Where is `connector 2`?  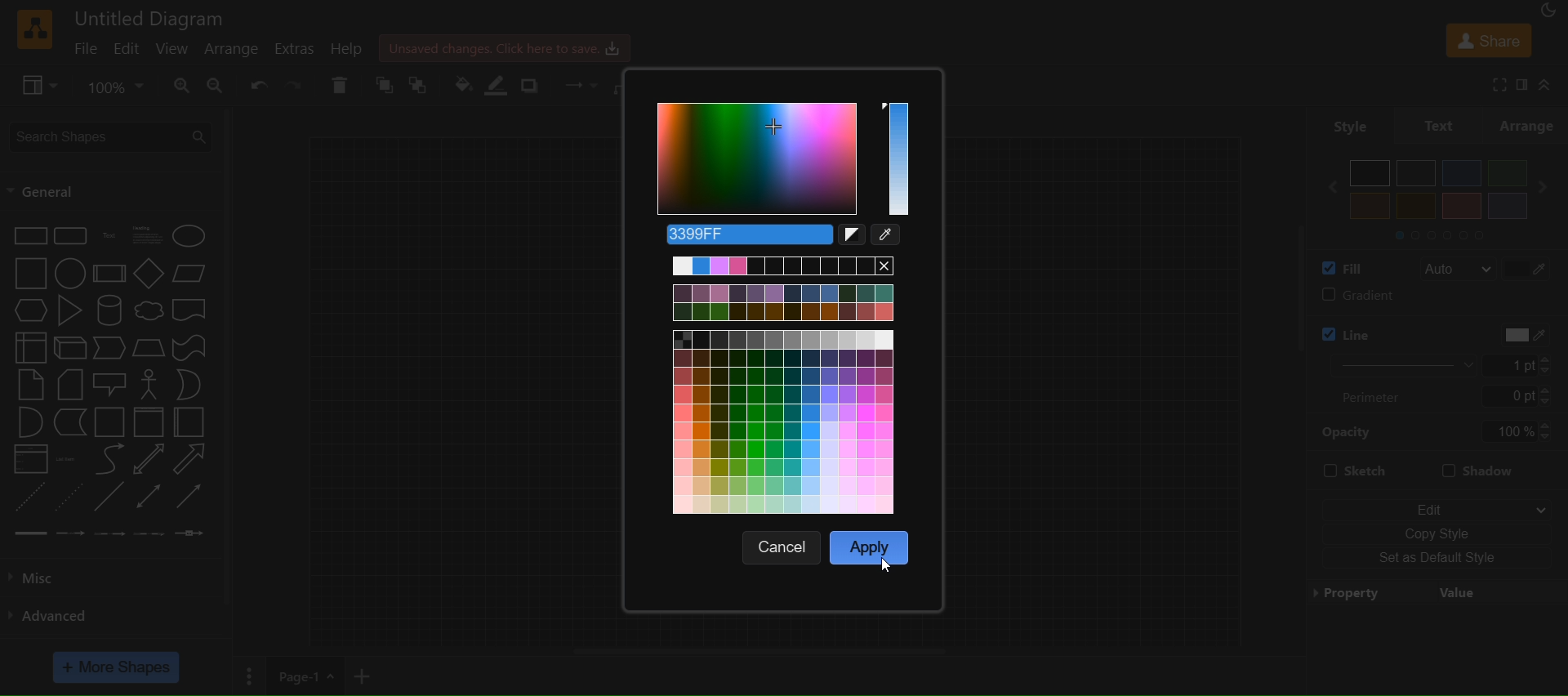
connector 2 is located at coordinates (71, 533).